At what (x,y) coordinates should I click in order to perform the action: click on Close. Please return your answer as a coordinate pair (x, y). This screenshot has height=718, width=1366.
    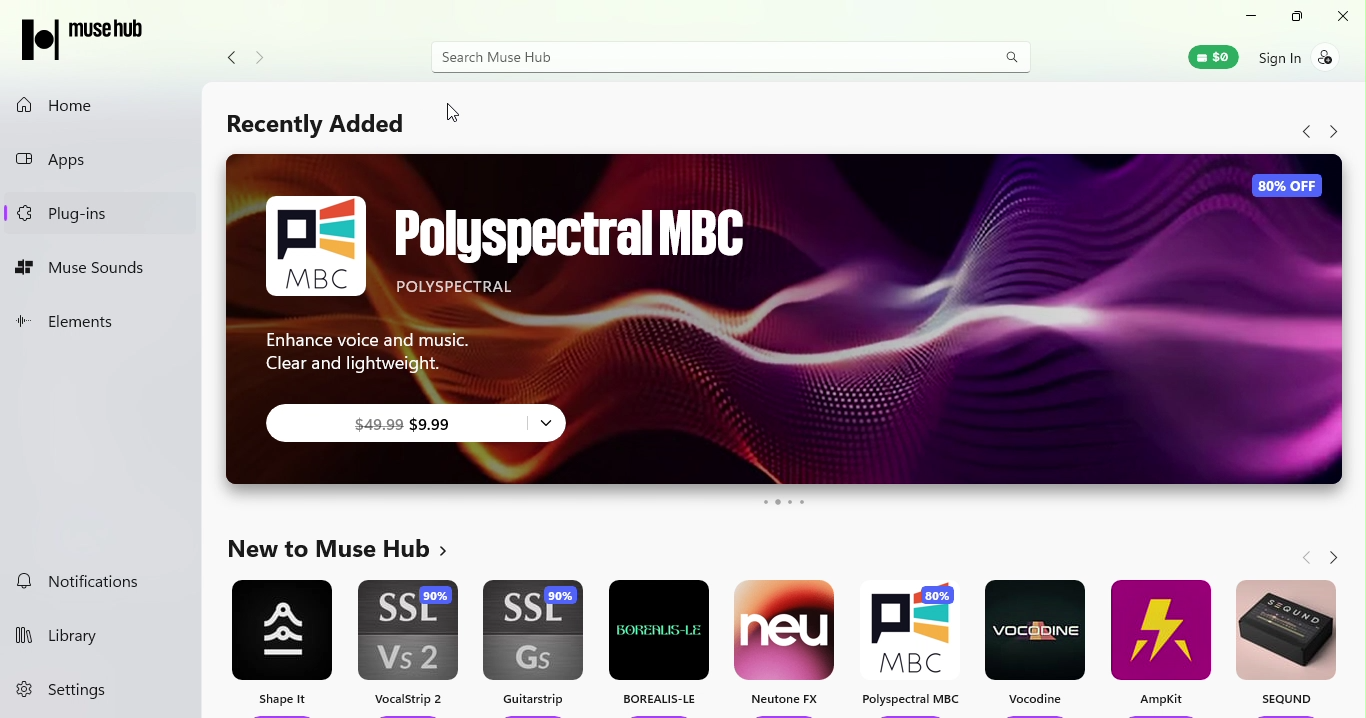
    Looking at the image, I should click on (1343, 17).